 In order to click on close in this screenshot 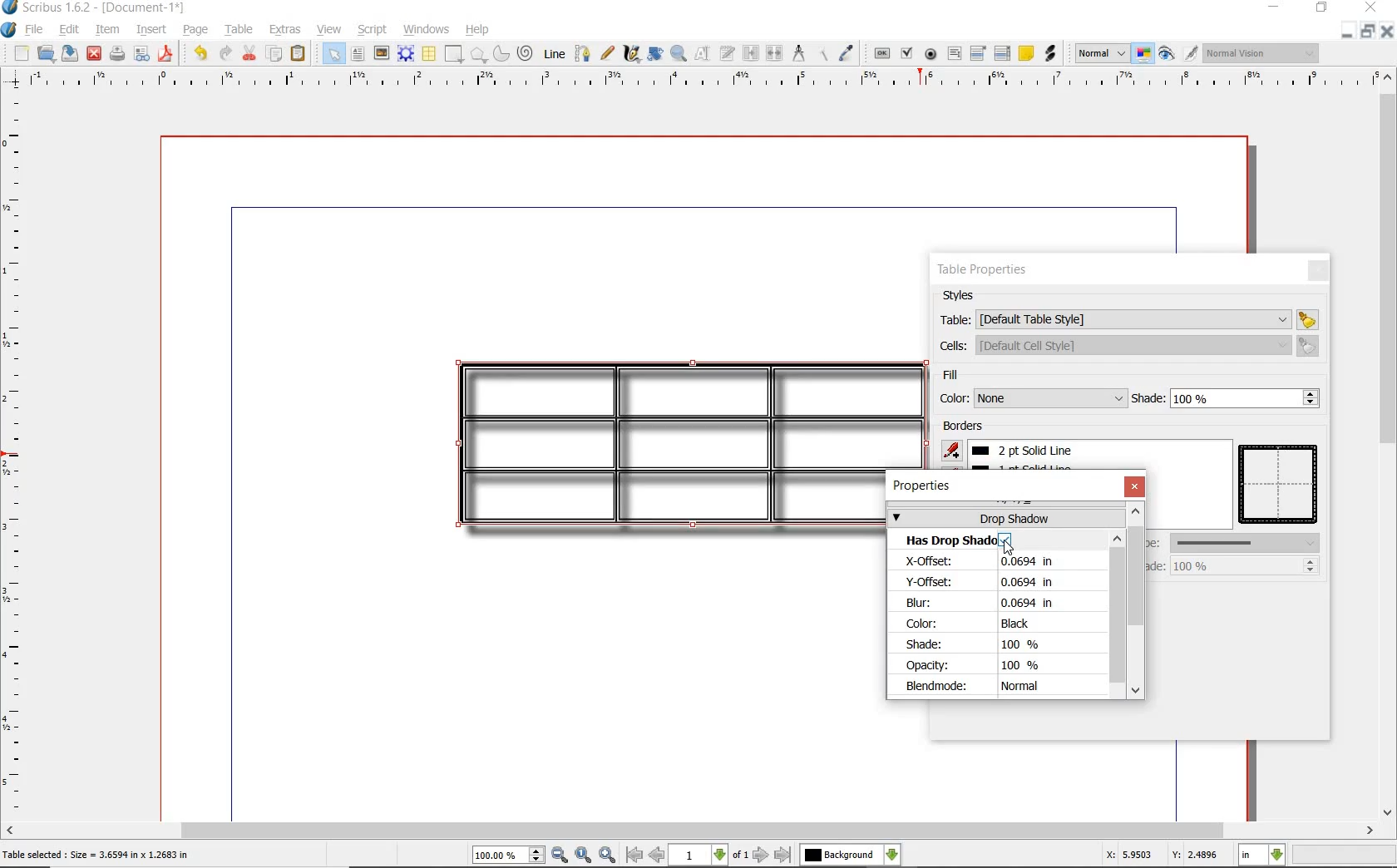, I will do `click(1134, 486)`.